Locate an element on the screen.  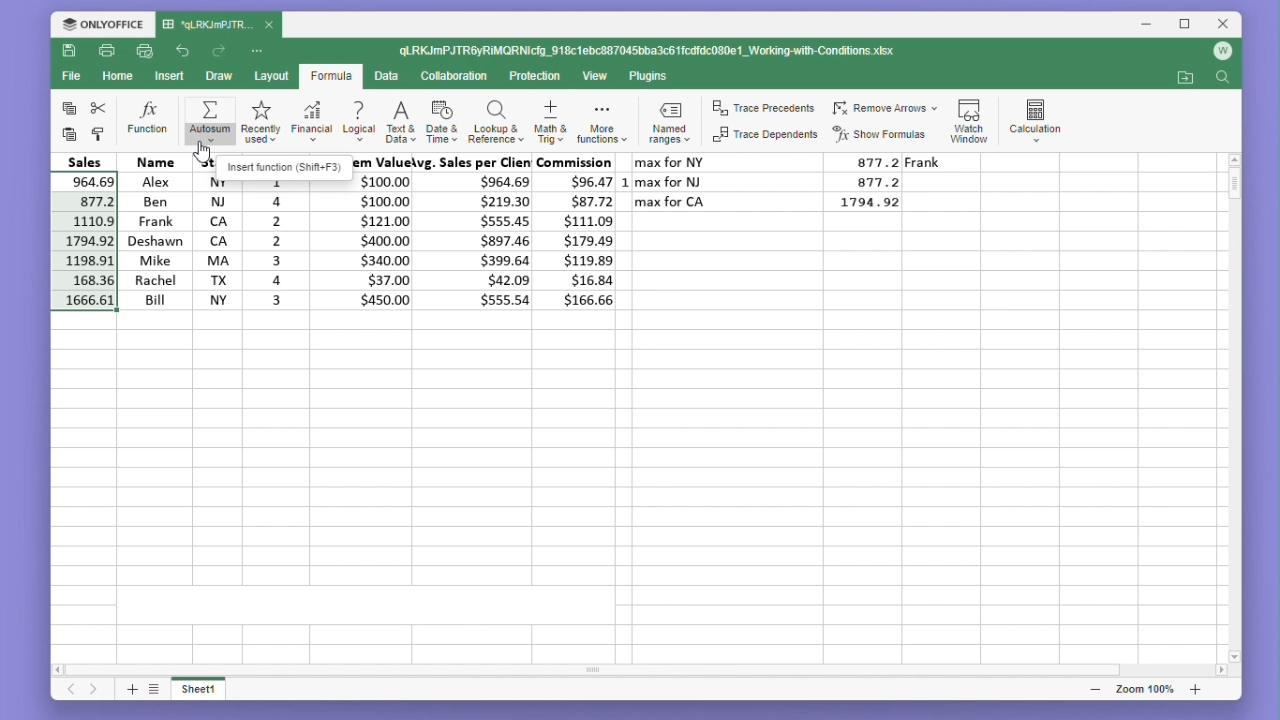
State is located at coordinates (211, 231).